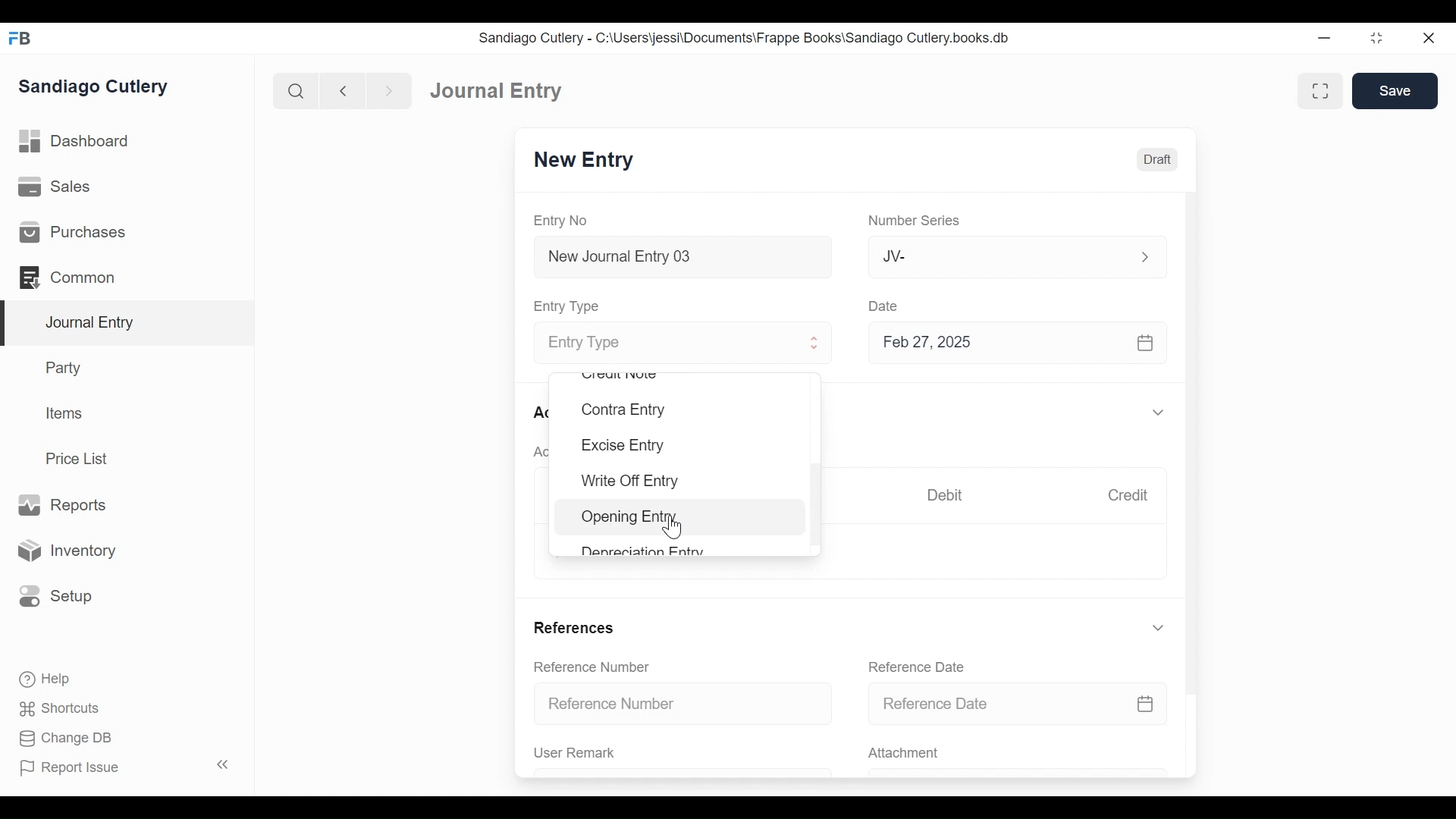 This screenshot has height=819, width=1456. What do you see at coordinates (672, 529) in the screenshot?
I see `Cursor` at bounding box center [672, 529].